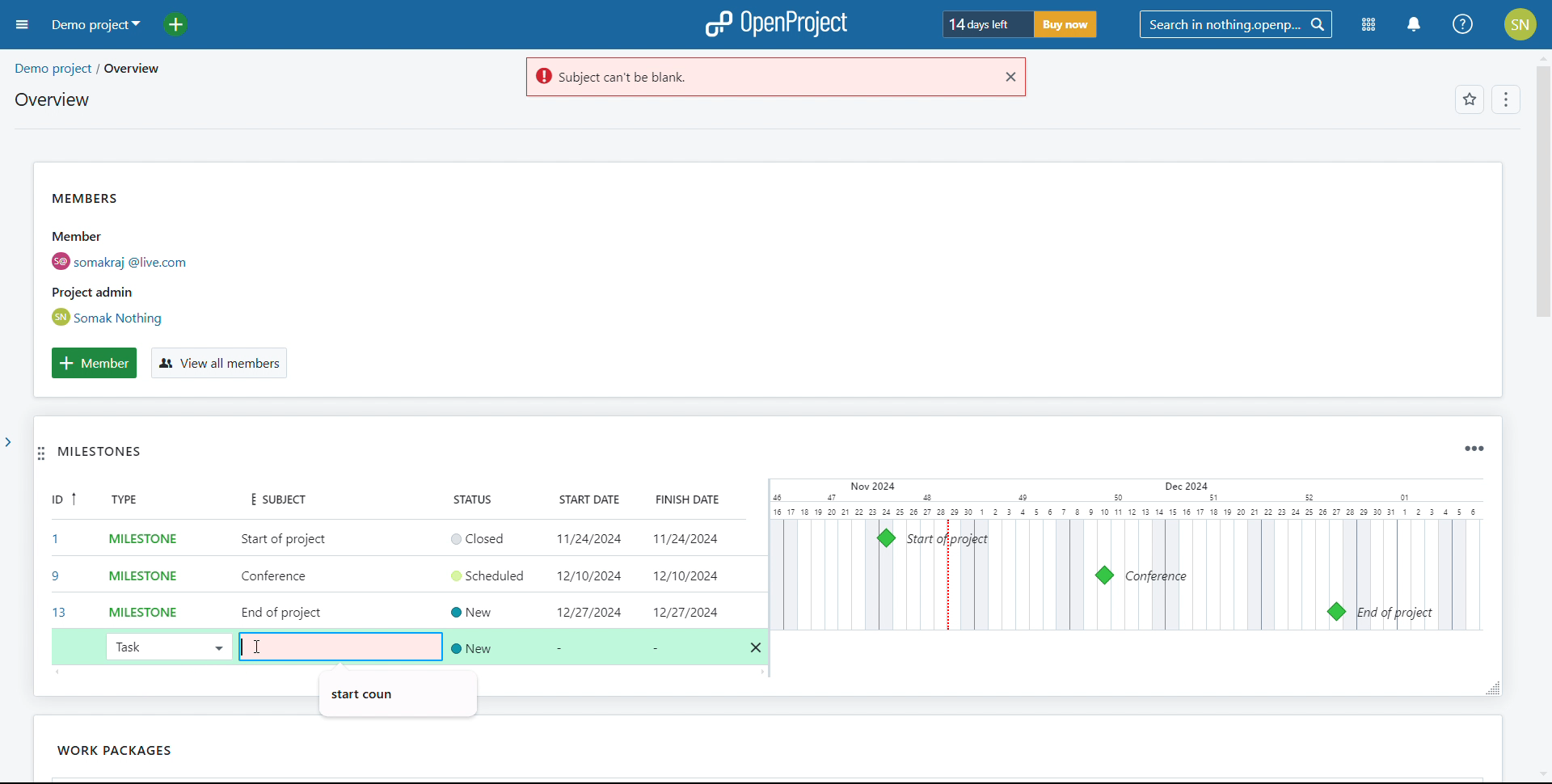 This screenshot has height=784, width=1552. I want to click on options, so click(1503, 101).